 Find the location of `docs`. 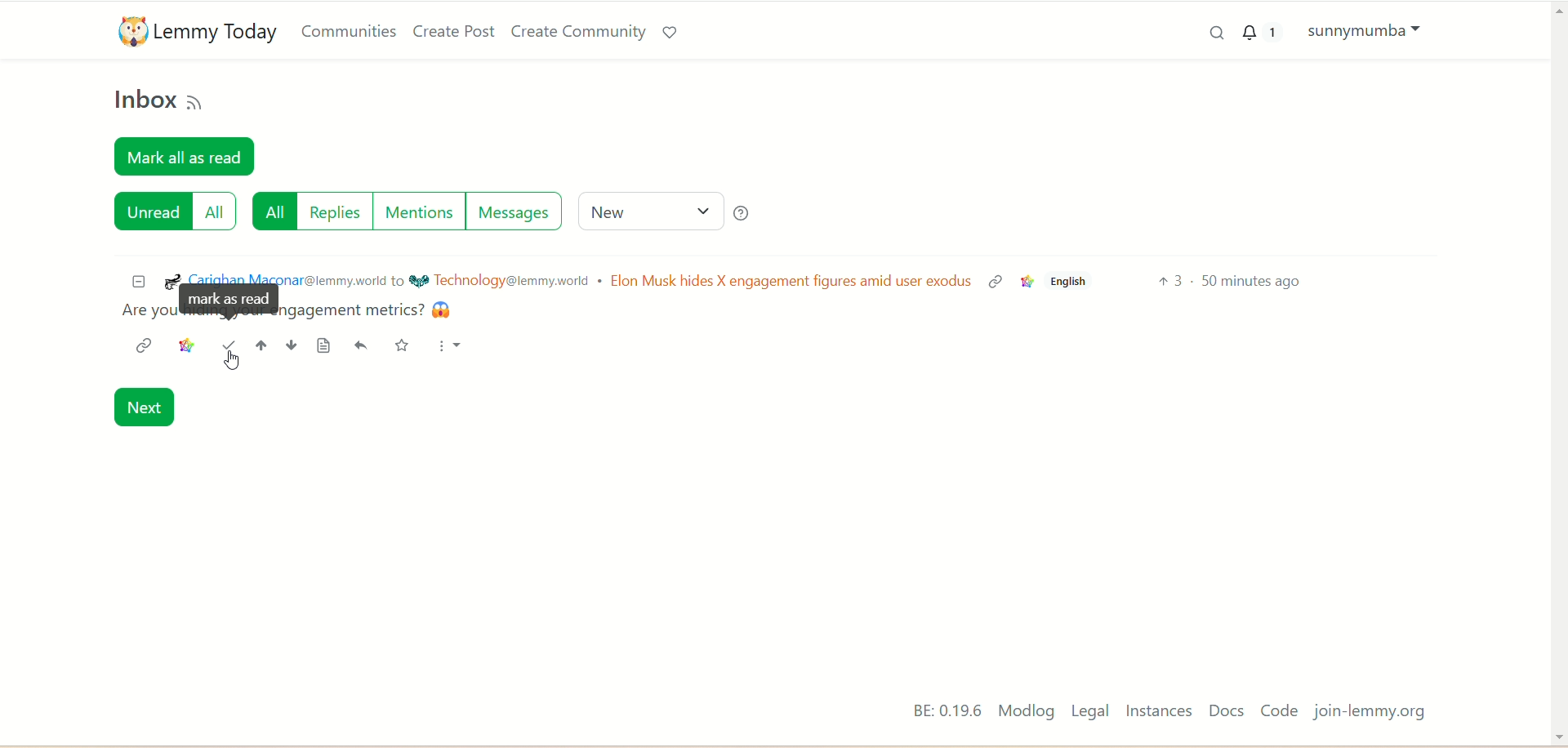

docs is located at coordinates (1224, 712).